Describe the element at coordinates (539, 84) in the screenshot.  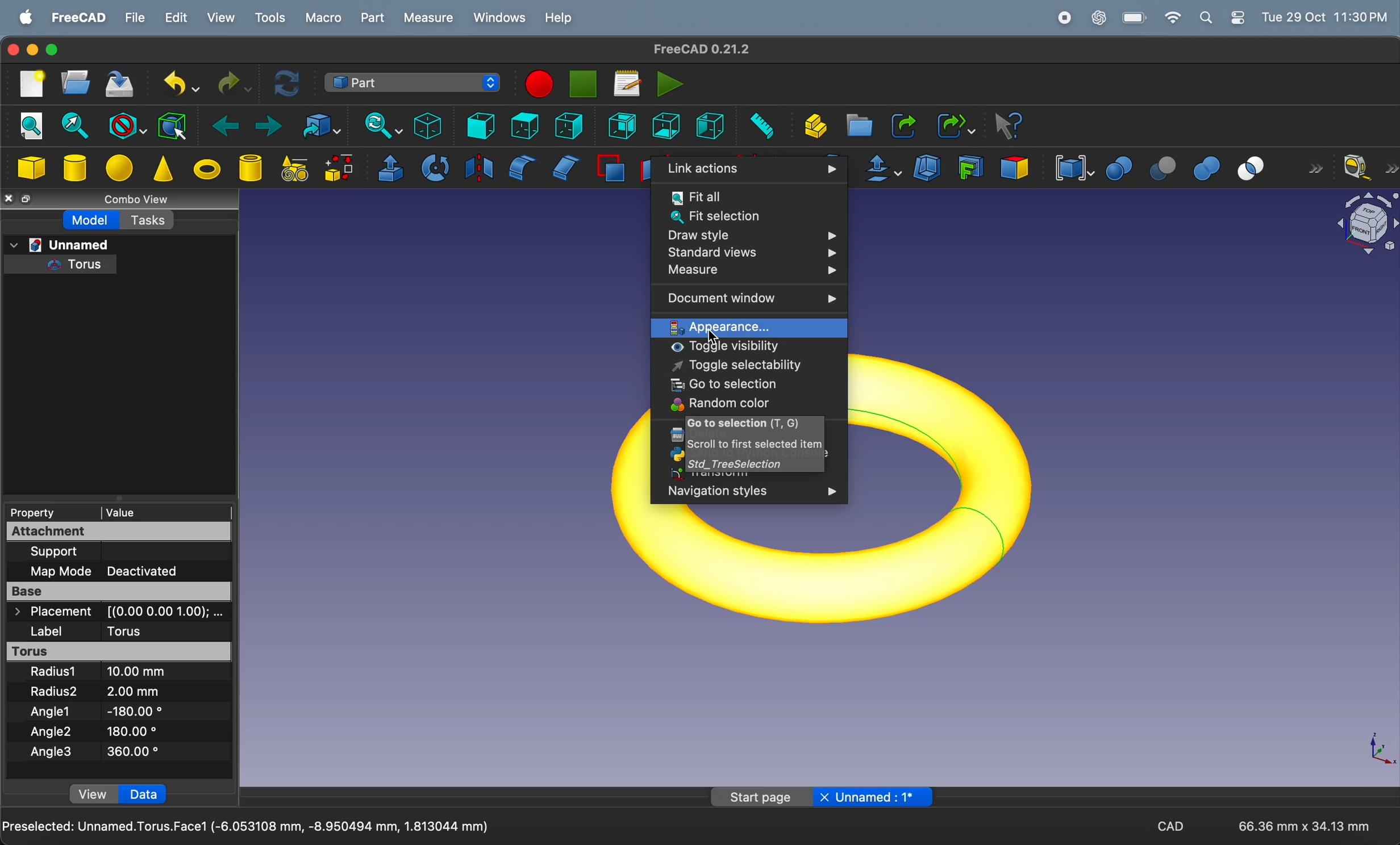
I see `marco recording` at that location.